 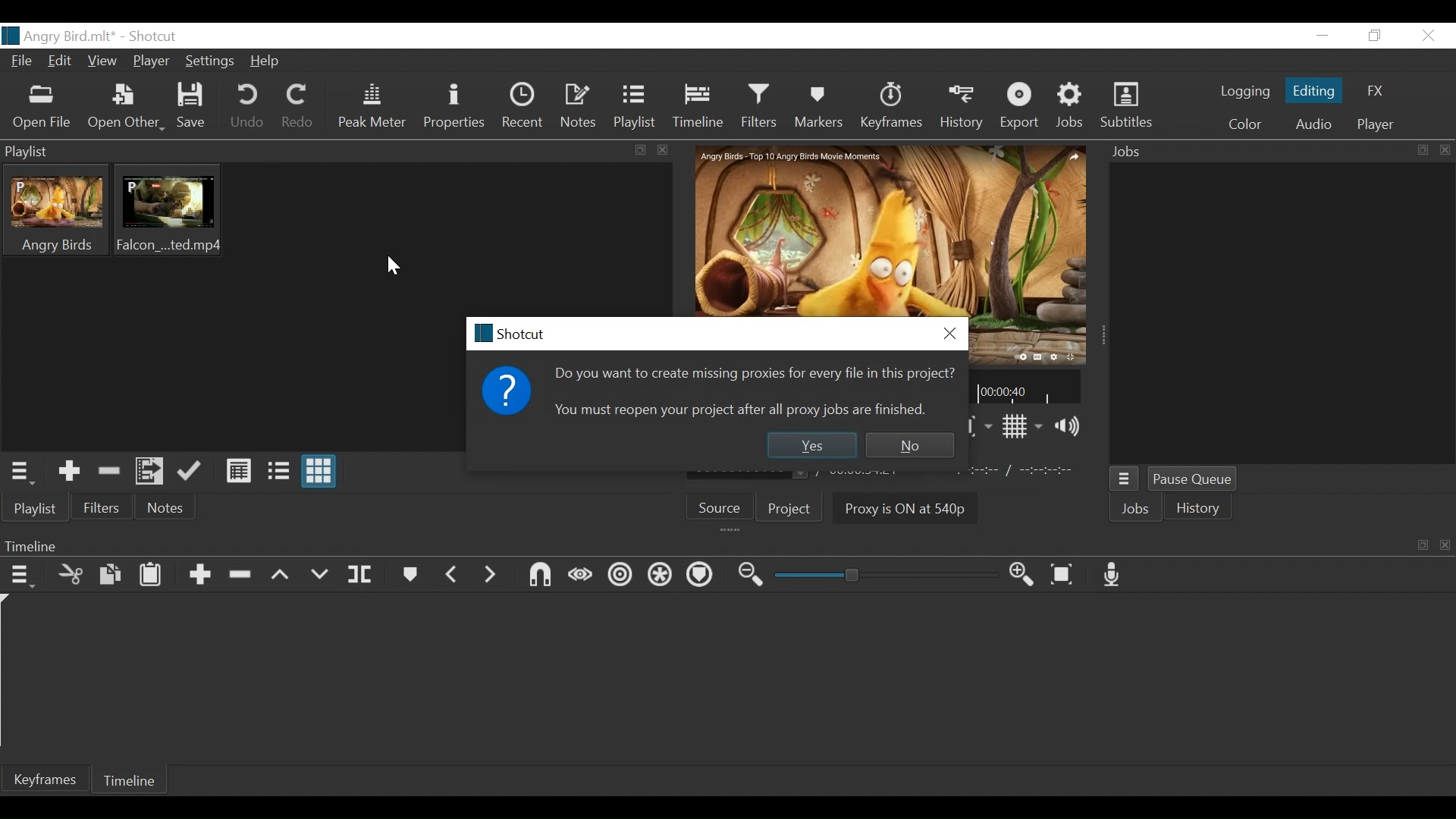 I want to click on Audio, so click(x=1316, y=124).